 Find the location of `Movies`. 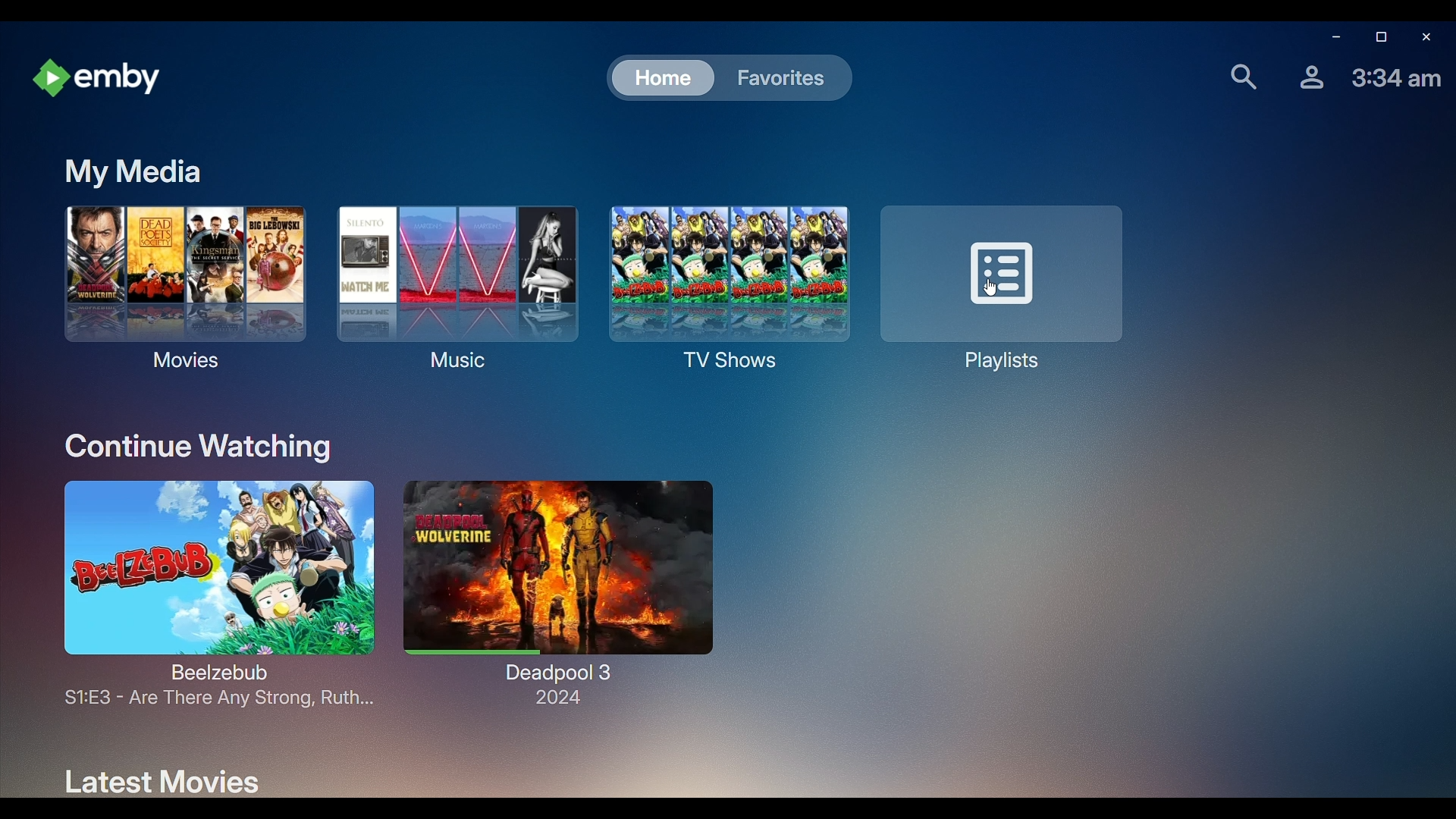

Movies is located at coordinates (180, 293).